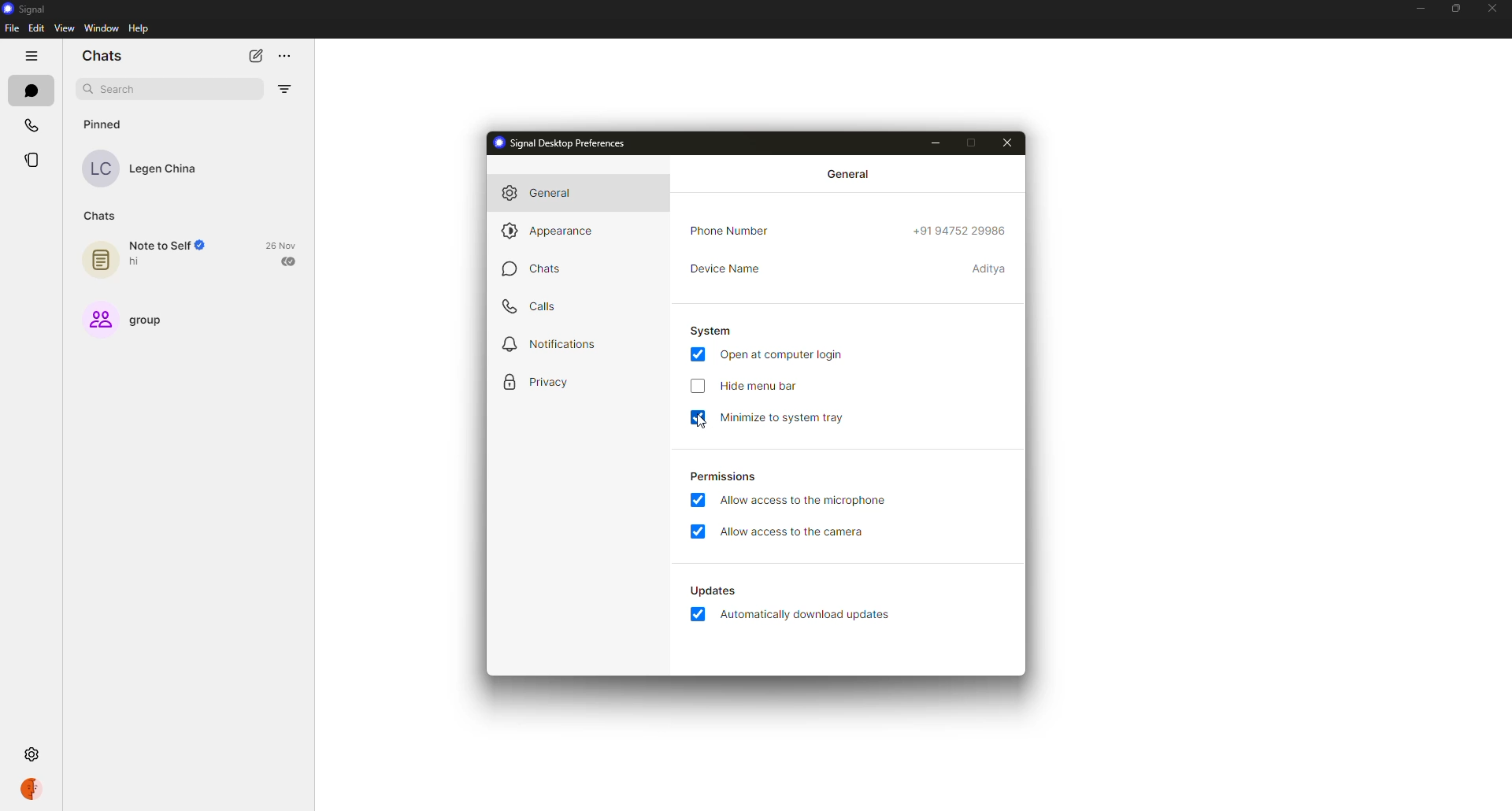  What do you see at coordinates (697, 615) in the screenshot?
I see `enabled` at bounding box center [697, 615].